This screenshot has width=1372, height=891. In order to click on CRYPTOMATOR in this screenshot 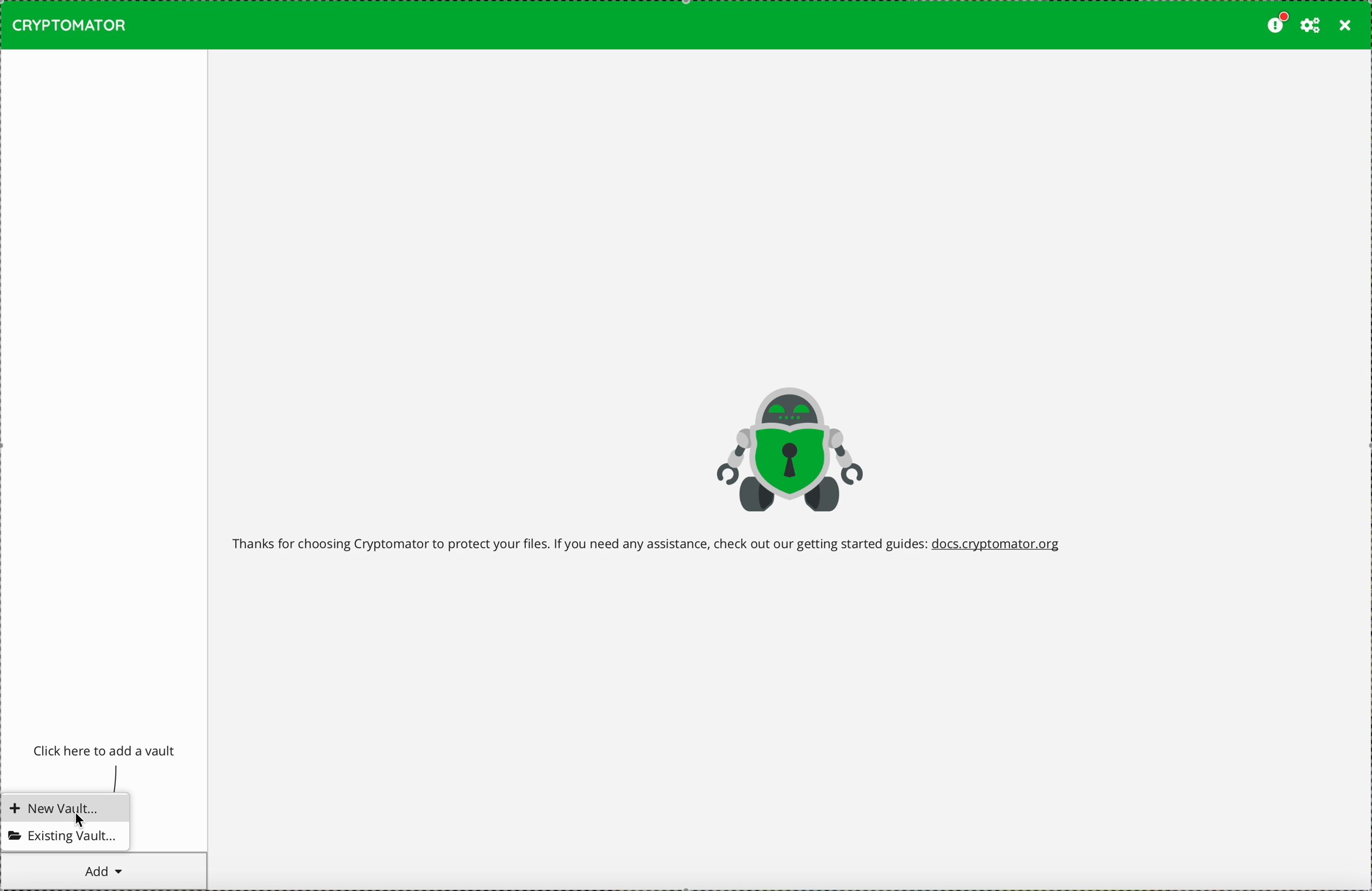, I will do `click(69, 25)`.